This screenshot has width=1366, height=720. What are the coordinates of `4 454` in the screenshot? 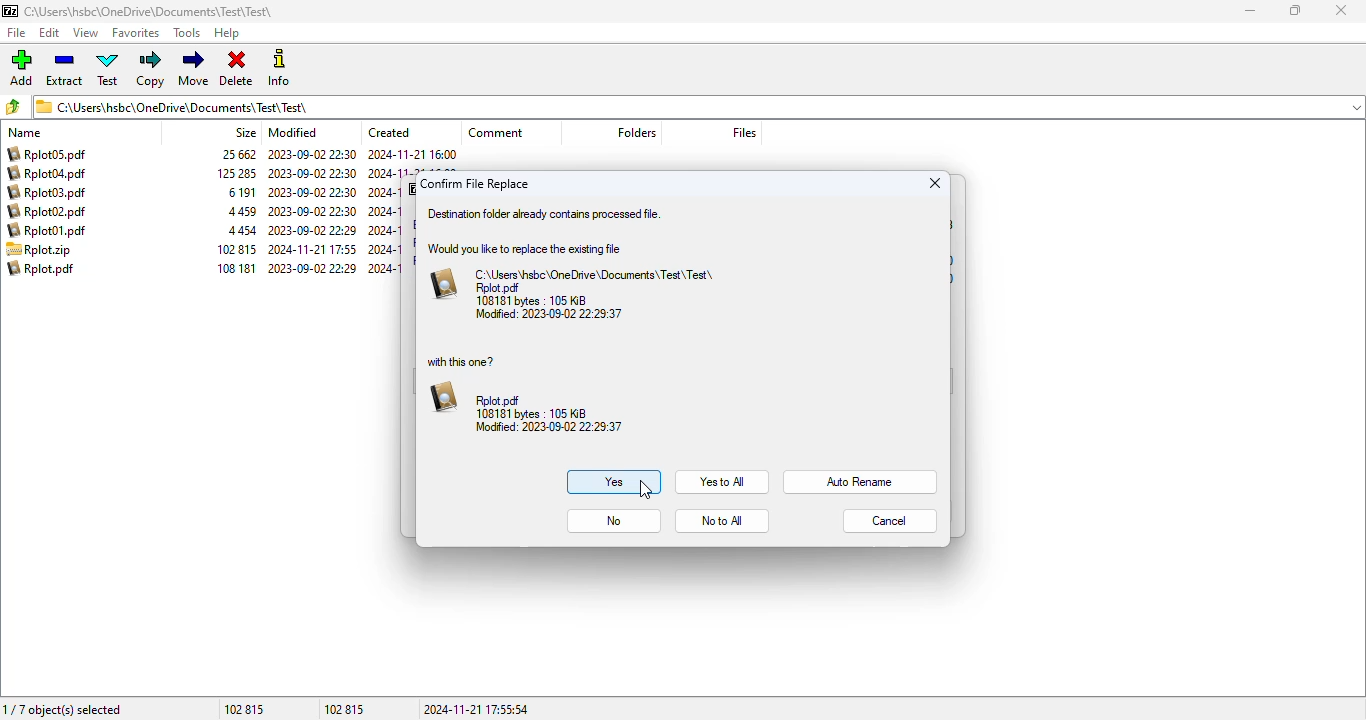 It's located at (241, 232).